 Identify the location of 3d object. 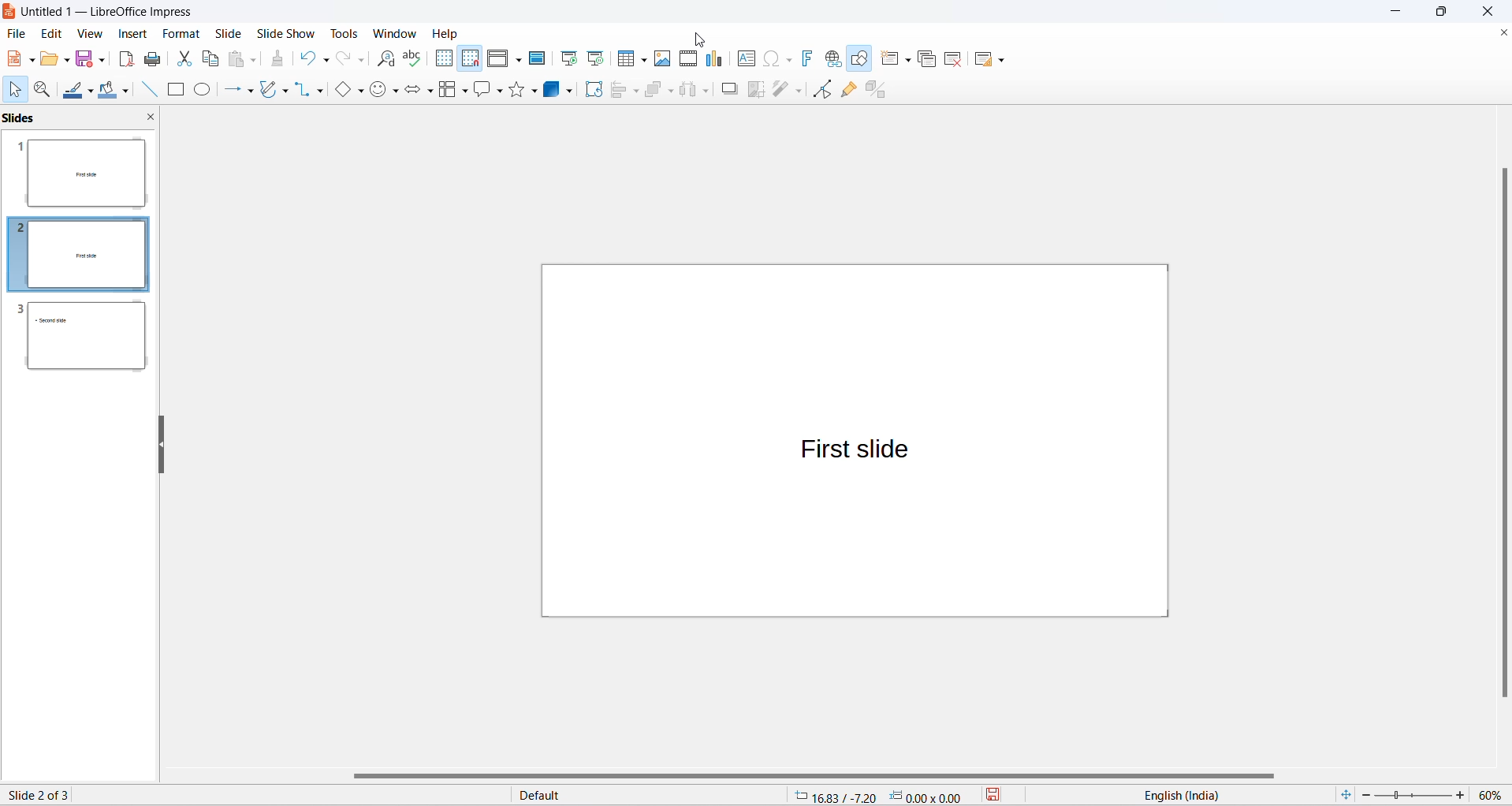
(550, 93).